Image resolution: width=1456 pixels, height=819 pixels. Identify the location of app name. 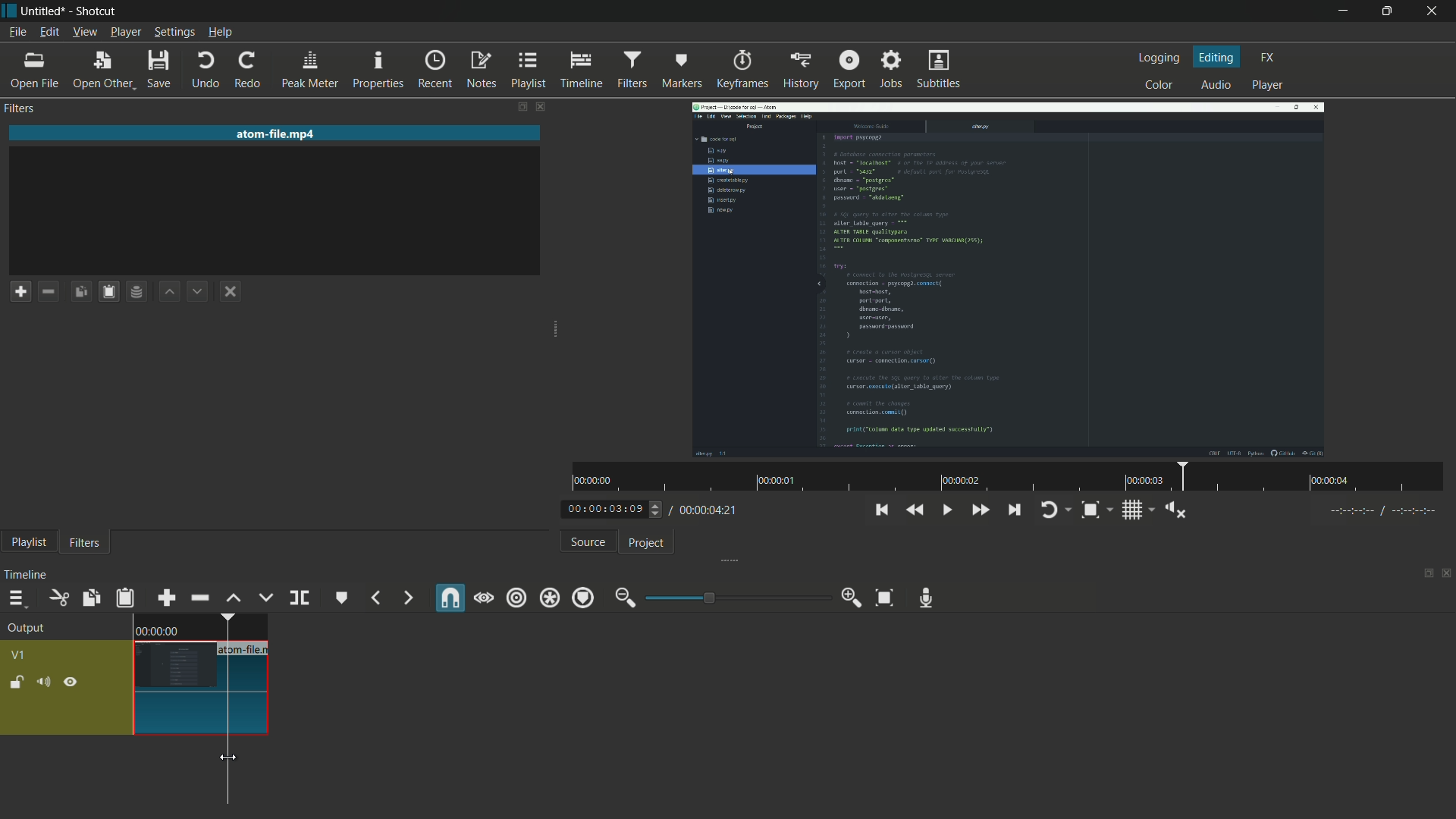
(96, 11).